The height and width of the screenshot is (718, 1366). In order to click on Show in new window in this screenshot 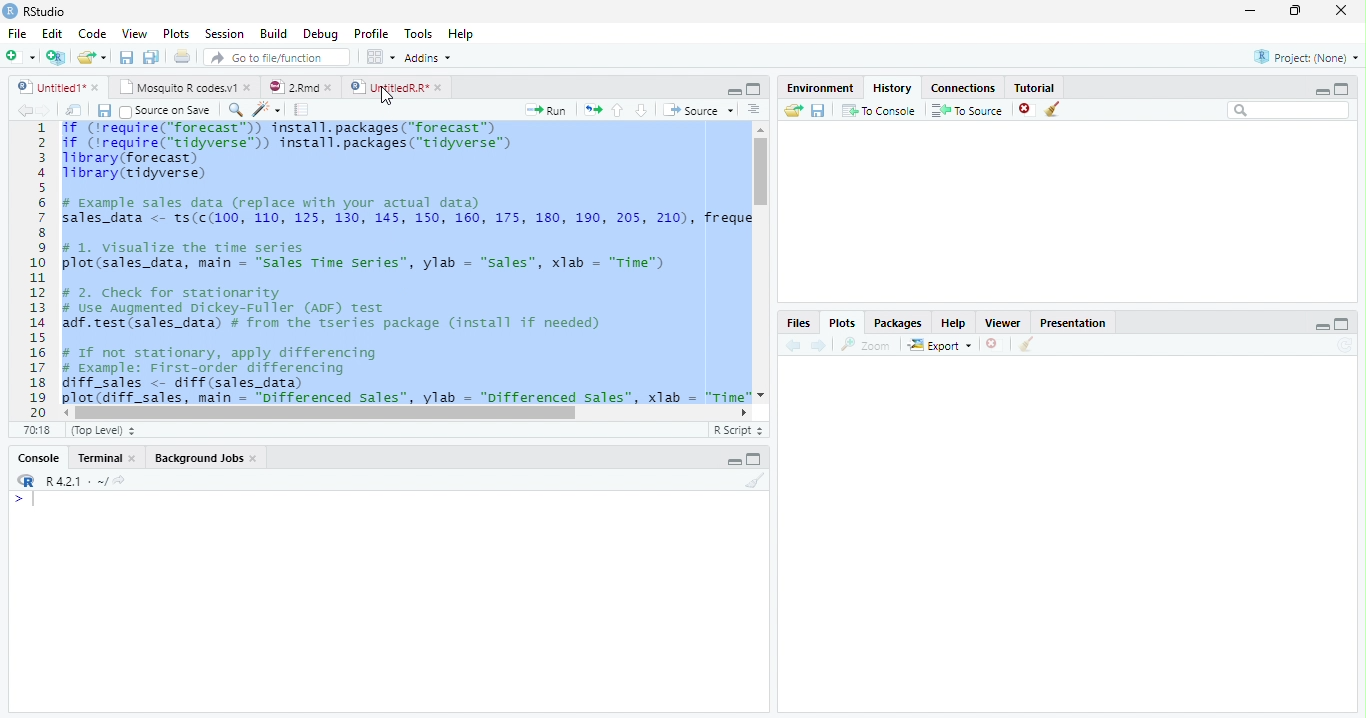, I will do `click(74, 110)`.